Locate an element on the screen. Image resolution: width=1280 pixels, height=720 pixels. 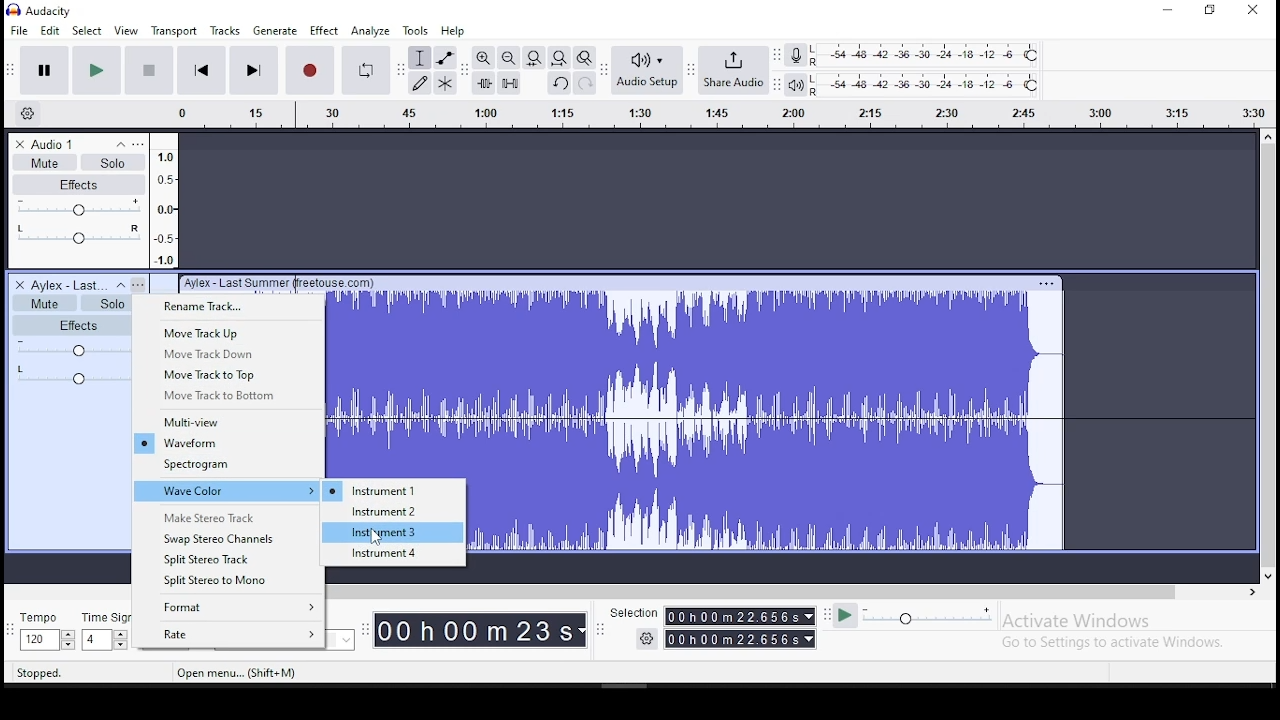
skip to end is located at coordinates (253, 72).